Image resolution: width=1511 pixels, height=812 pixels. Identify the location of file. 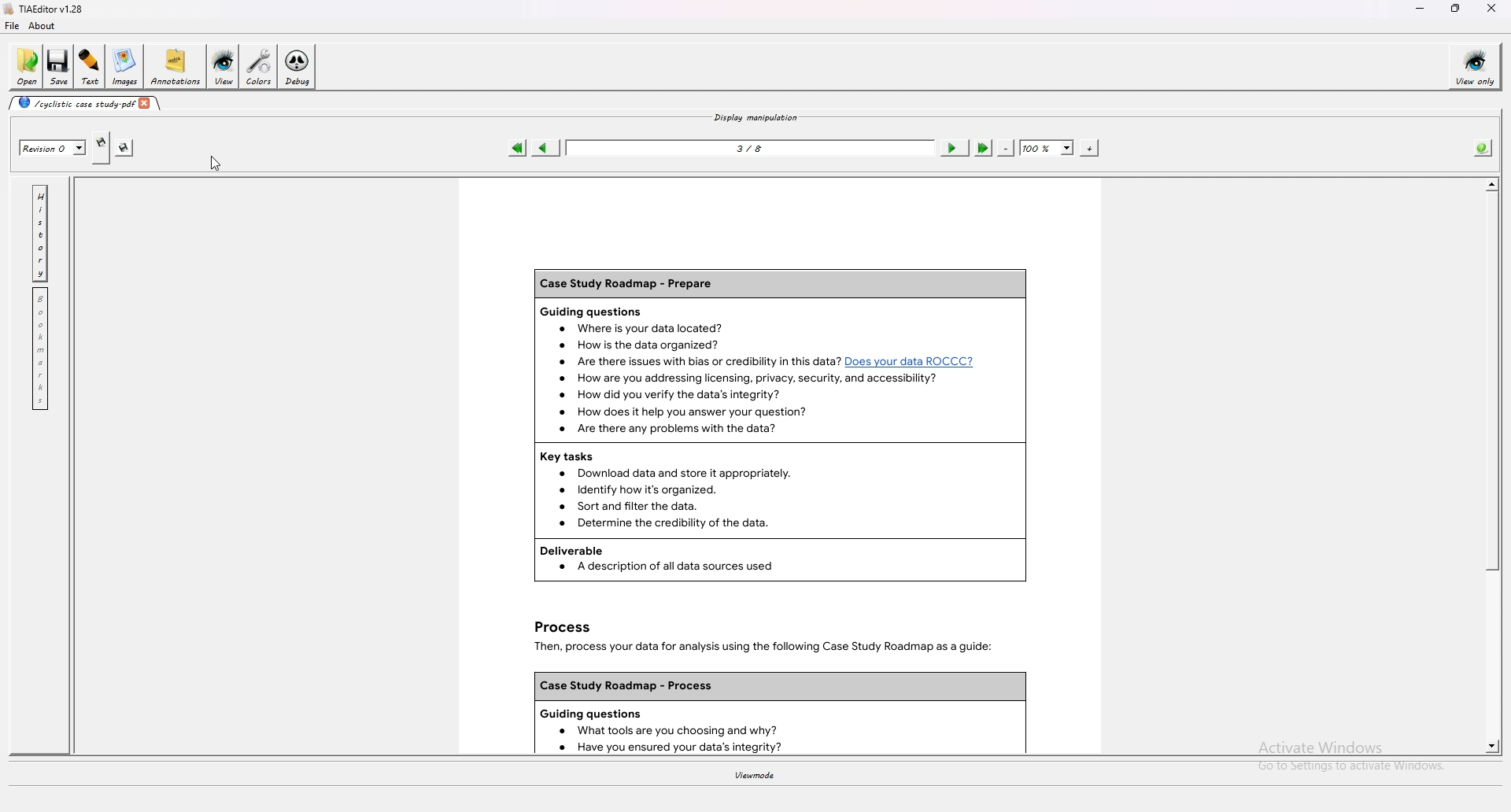
(12, 26).